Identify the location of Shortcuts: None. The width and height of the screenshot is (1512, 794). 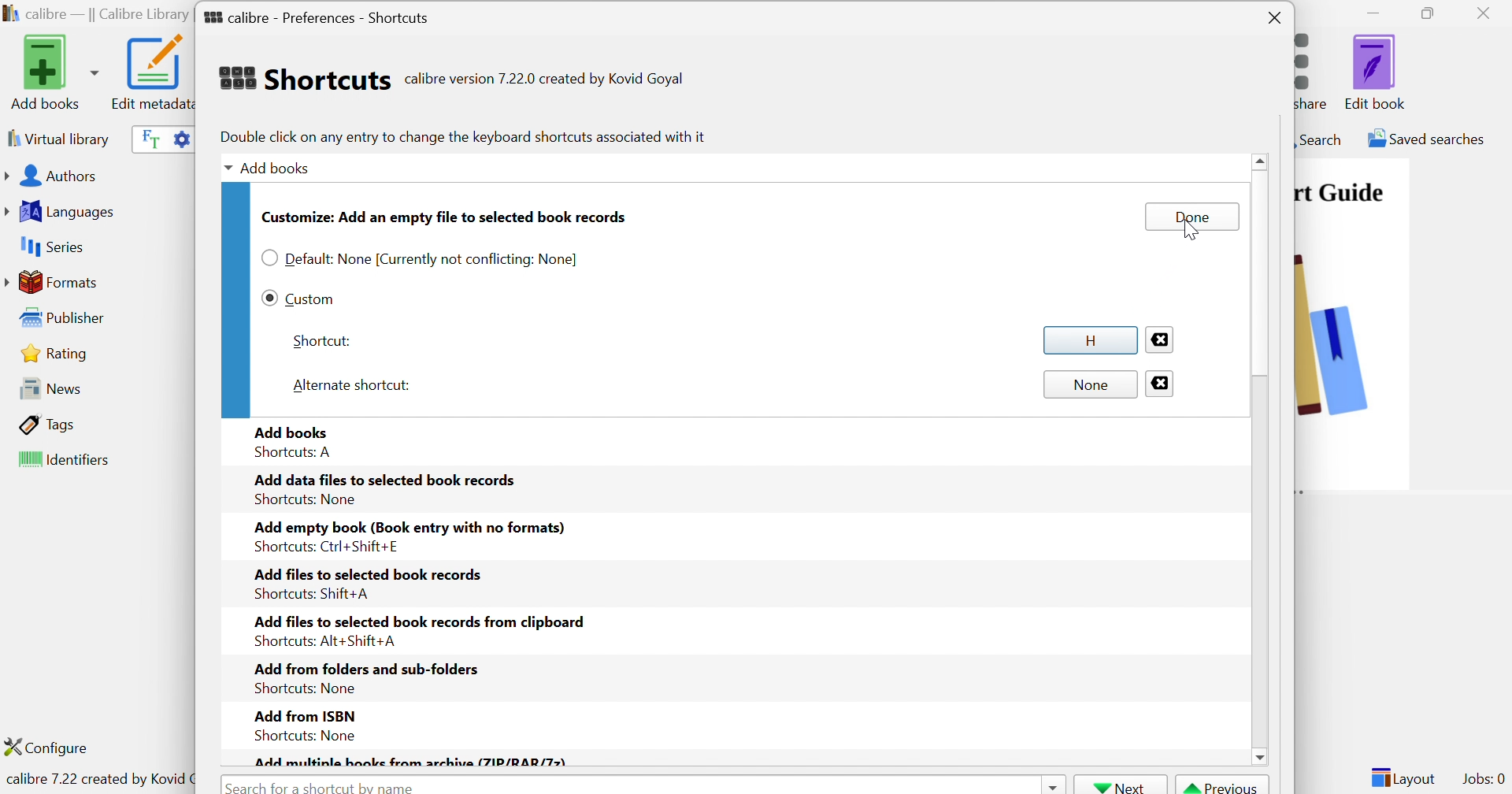
(306, 499).